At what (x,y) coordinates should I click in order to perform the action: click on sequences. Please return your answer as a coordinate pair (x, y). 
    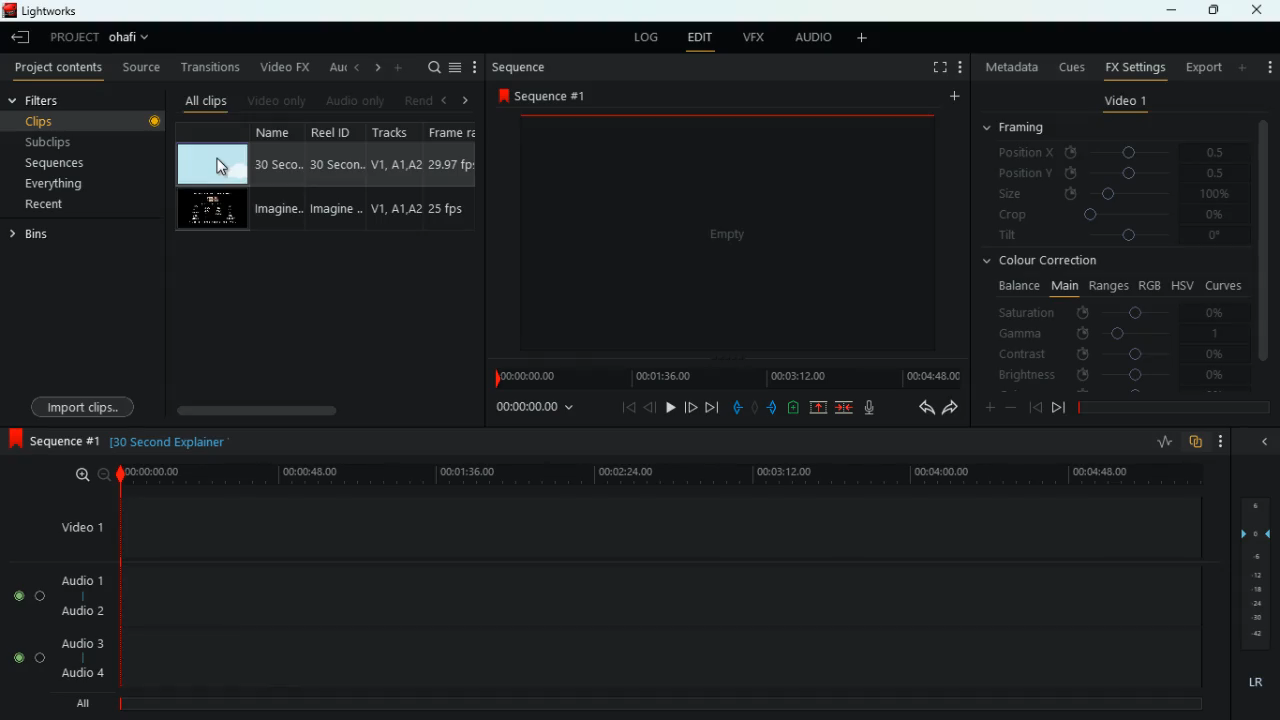
    Looking at the image, I should click on (70, 162).